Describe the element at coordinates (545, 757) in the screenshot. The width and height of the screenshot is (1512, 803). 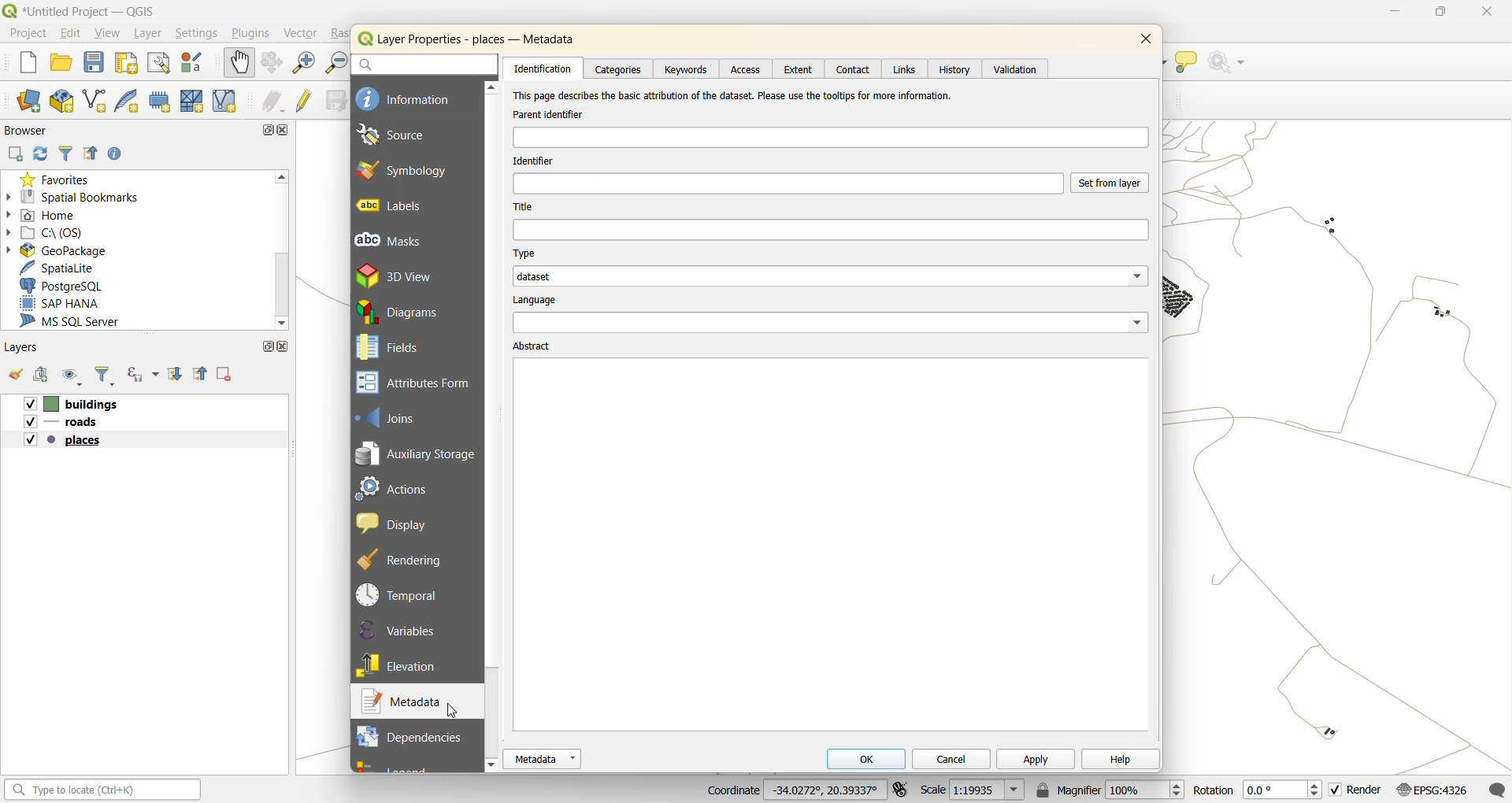
I see `metadata` at that location.